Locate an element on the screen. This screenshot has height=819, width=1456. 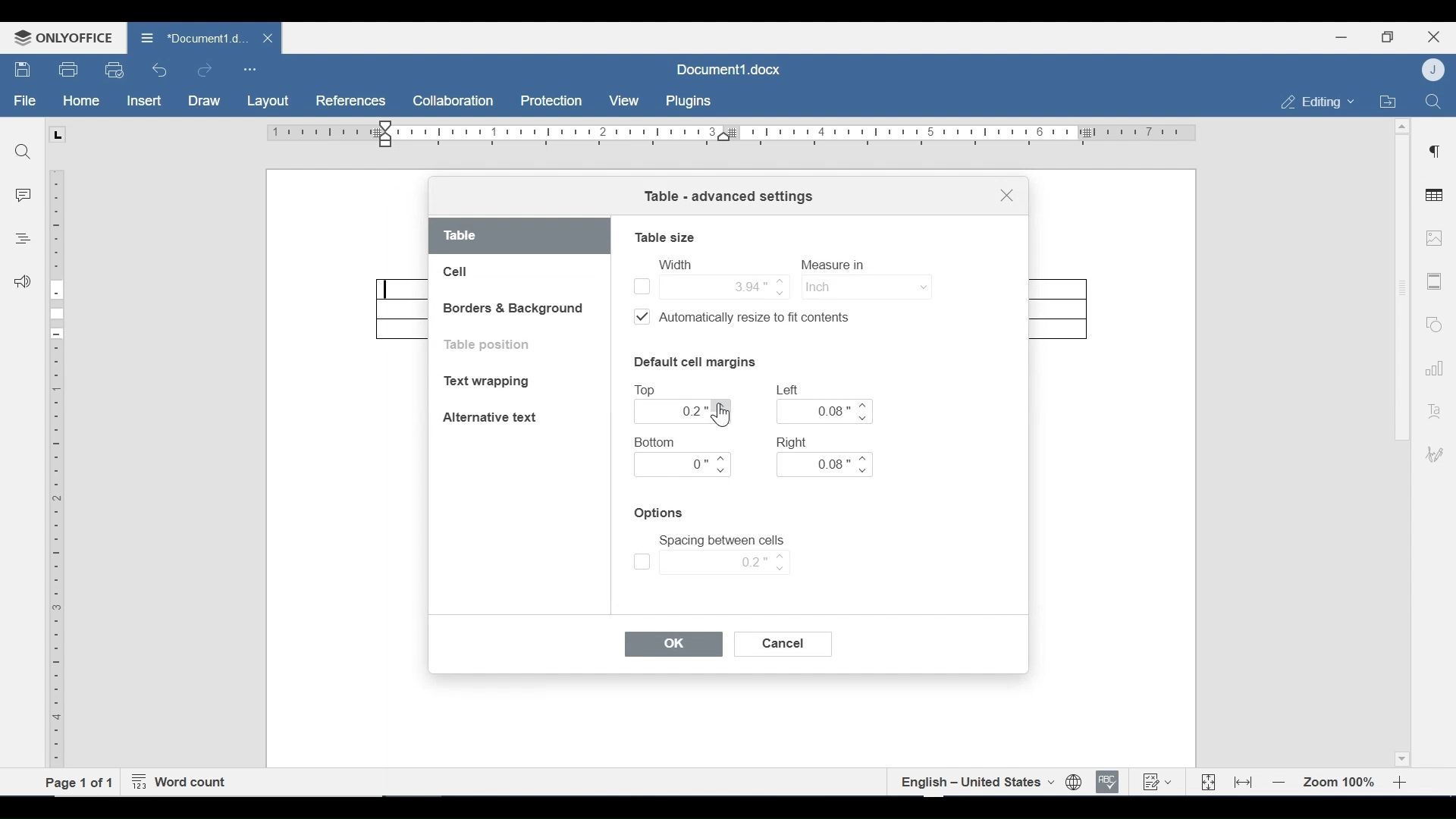
0 is located at coordinates (683, 465).